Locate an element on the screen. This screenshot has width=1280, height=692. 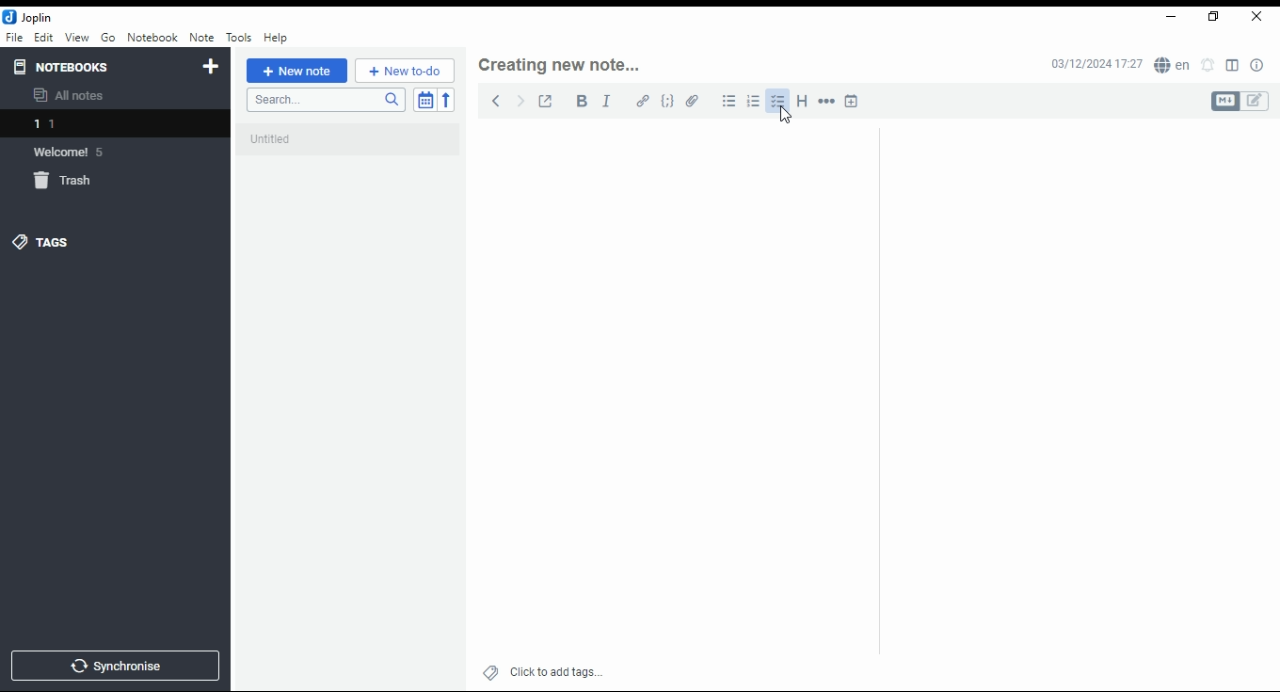
bold is located at coordinates (578, 101).